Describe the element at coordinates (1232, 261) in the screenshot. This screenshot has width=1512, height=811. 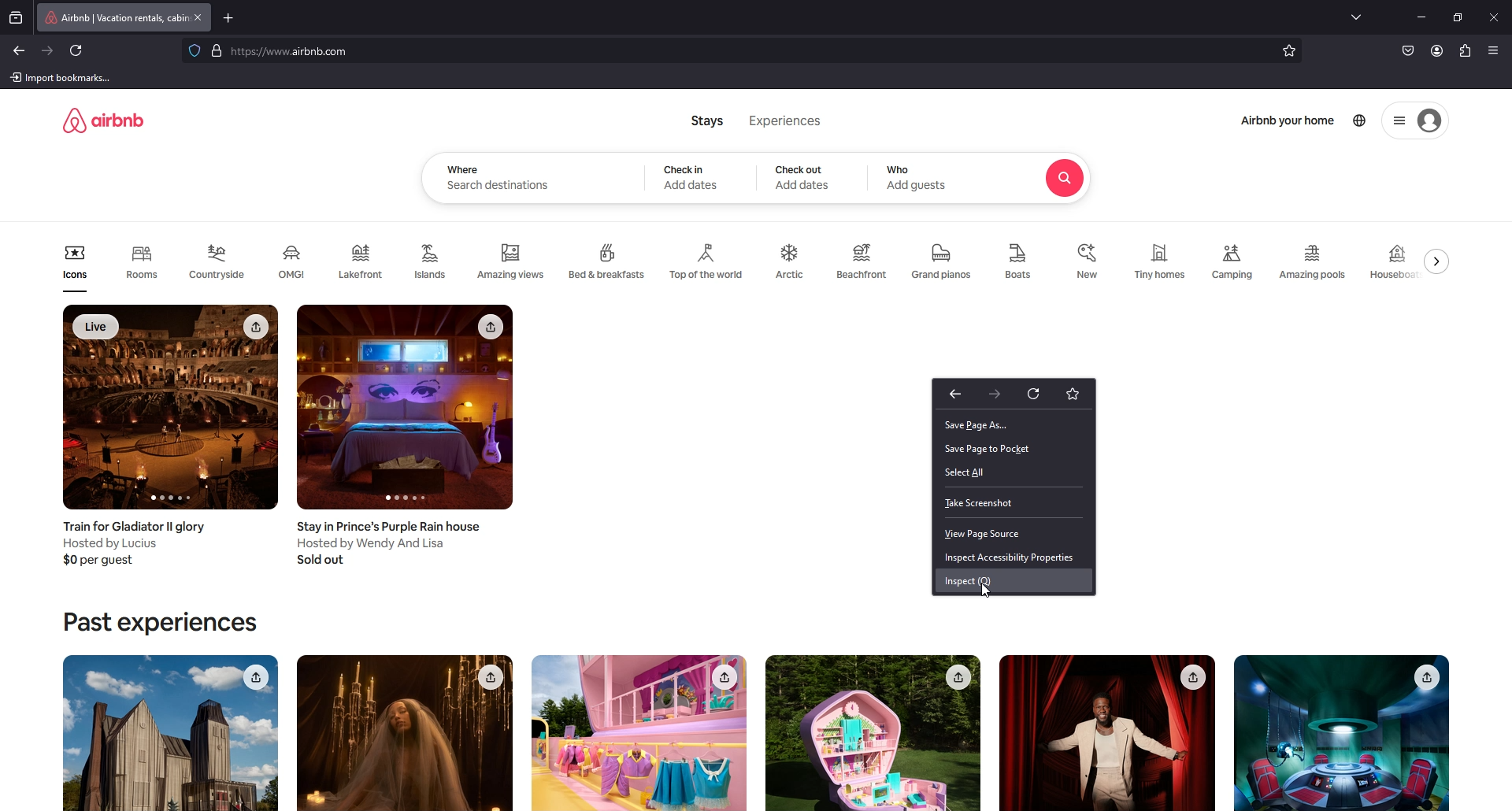
I see `camping` at that location.